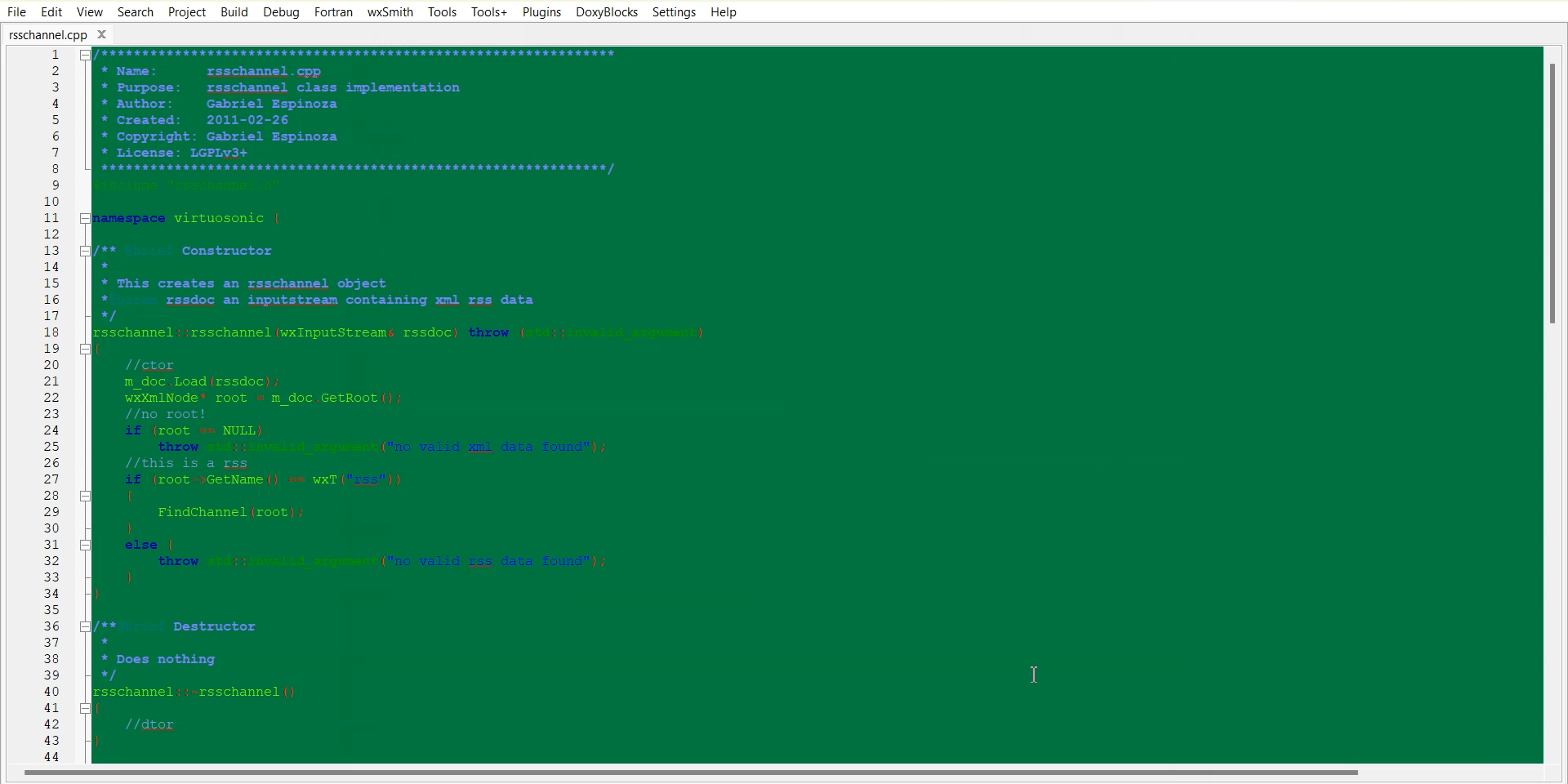  I want to click on Debug, so click(282, 13).